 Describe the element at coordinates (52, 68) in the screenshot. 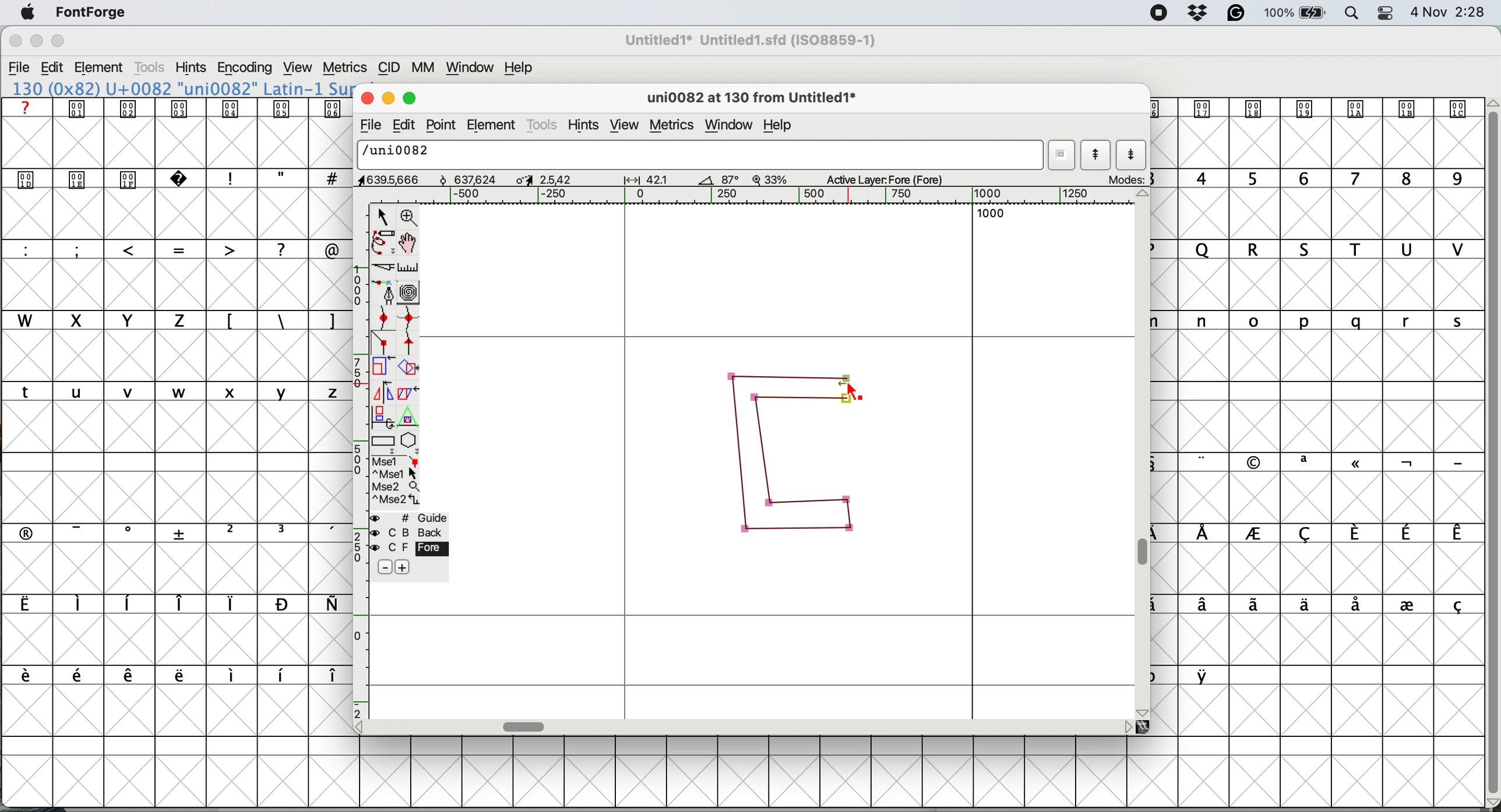

I see `edit` at that location.